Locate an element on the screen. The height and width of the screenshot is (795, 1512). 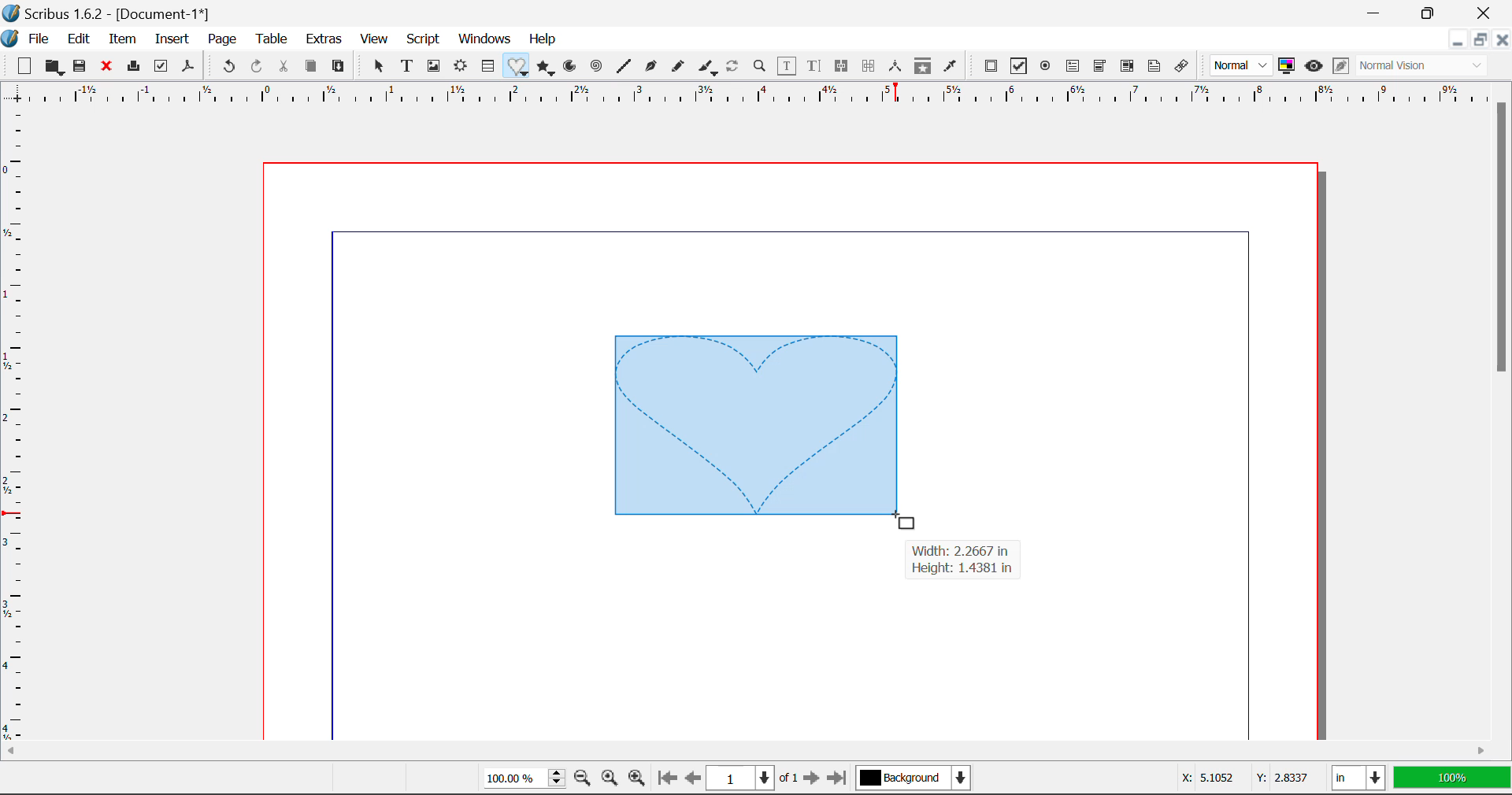
Text Annotation is located at coordinates (1153, 67).